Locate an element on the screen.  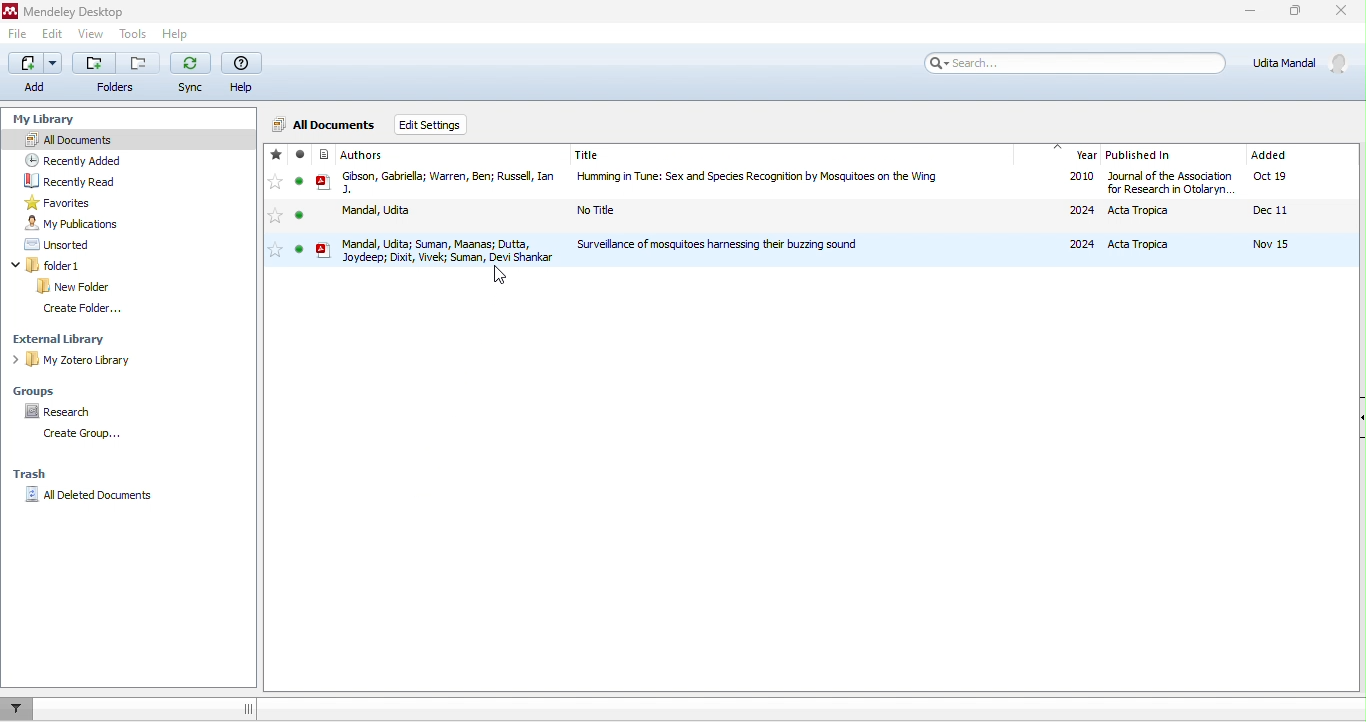
all deleted documents is located at coordinates (90, 494).